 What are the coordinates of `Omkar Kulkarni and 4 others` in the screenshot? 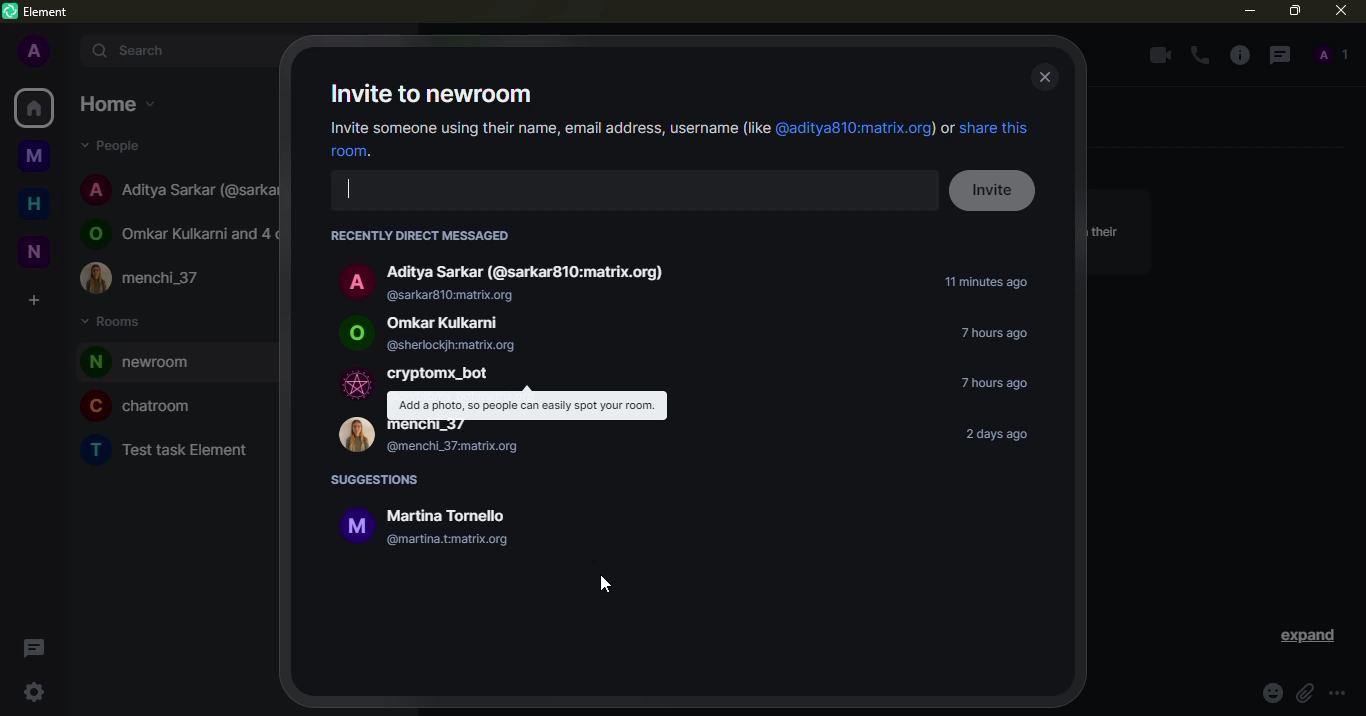 It's located at (178, 234).